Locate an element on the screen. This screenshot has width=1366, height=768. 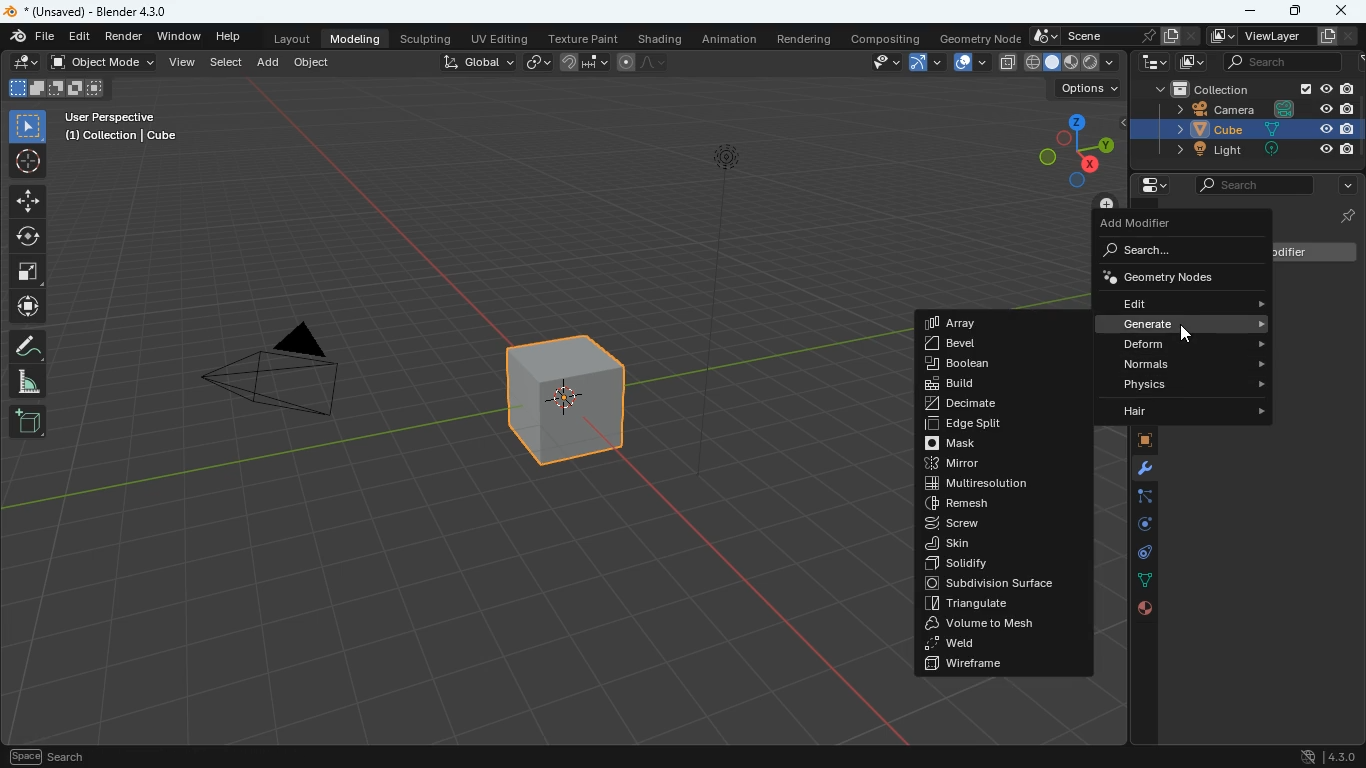
more is located at coordinates (1342, 186).